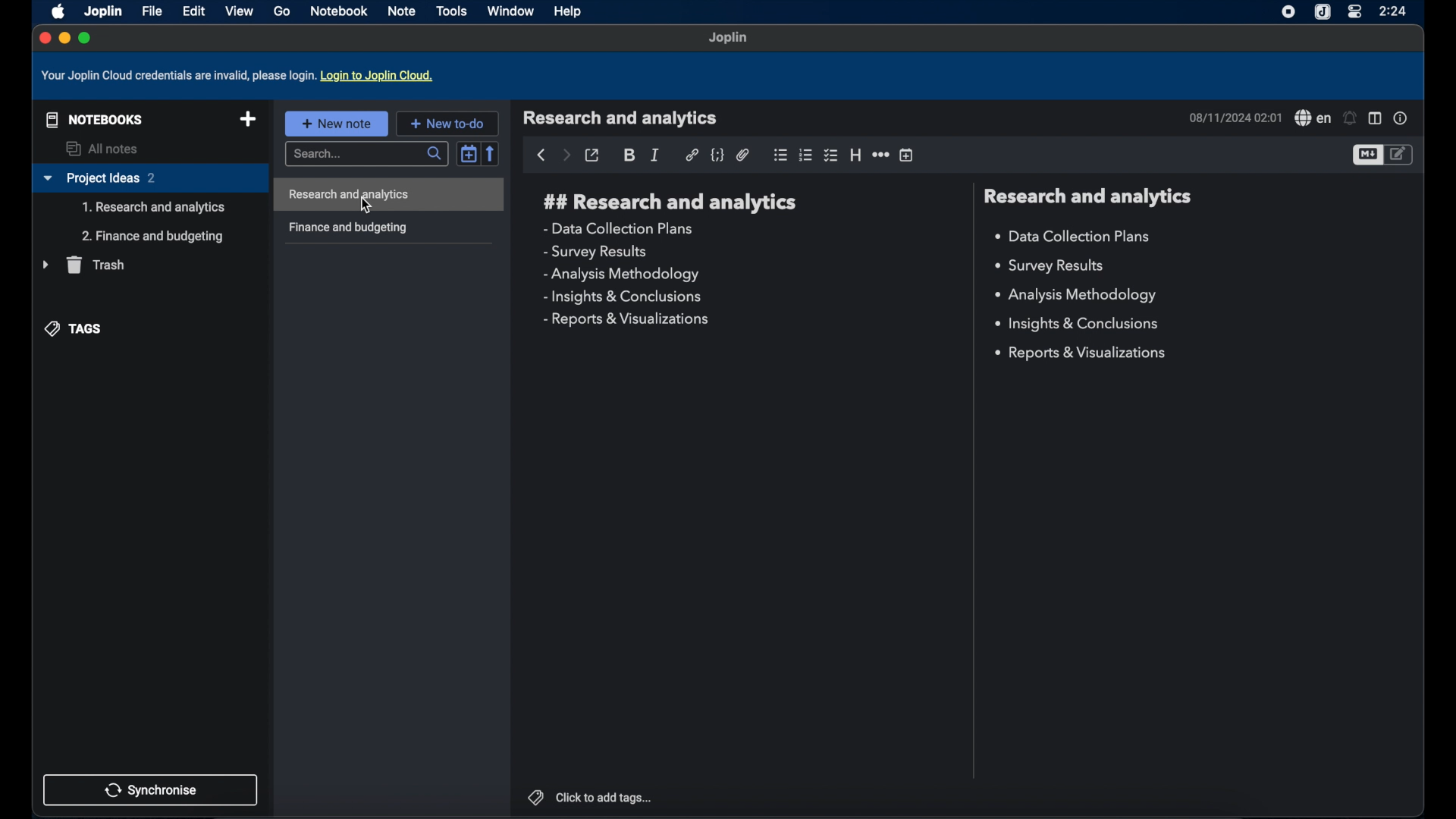 The height and width of the screenshot is (819, 1456). I want to click on code, so click(718, 155).